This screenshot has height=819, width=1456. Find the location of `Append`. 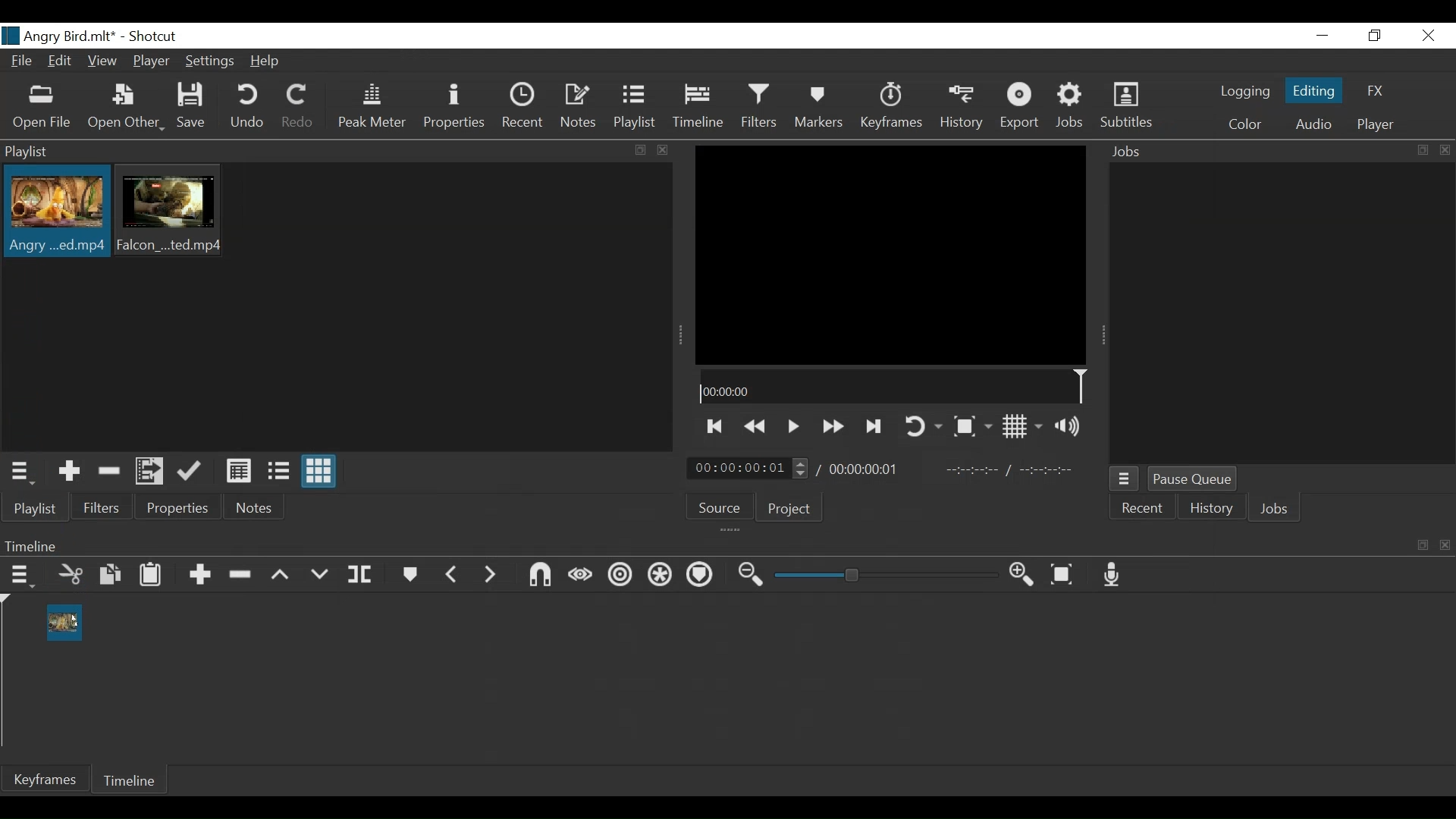

Append is located at coordinates (202, 577).